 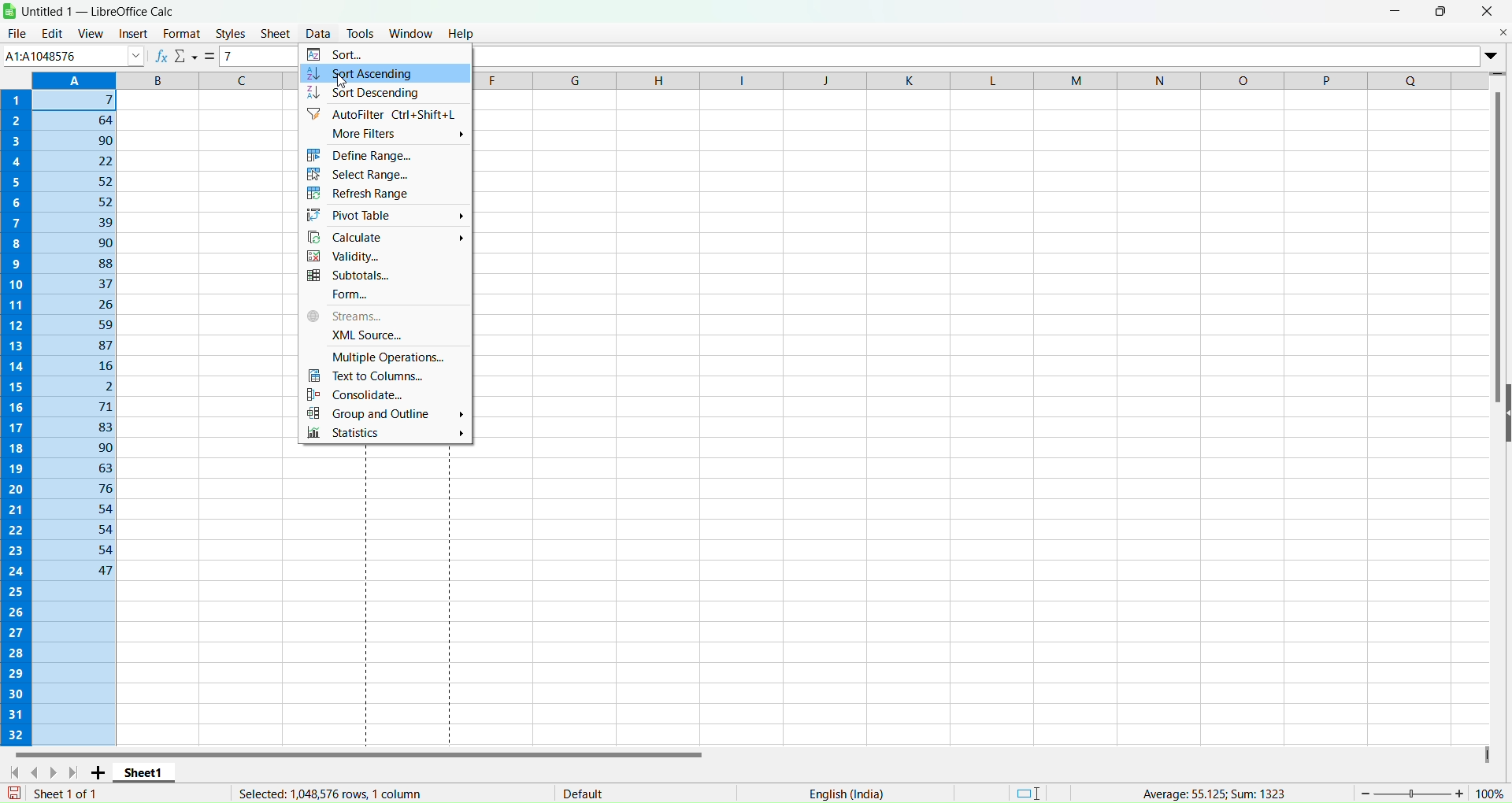 What do you see at coordinates (1029, 791) in the screenshot?
I see `Layout` at bounding box center [1029, 791].